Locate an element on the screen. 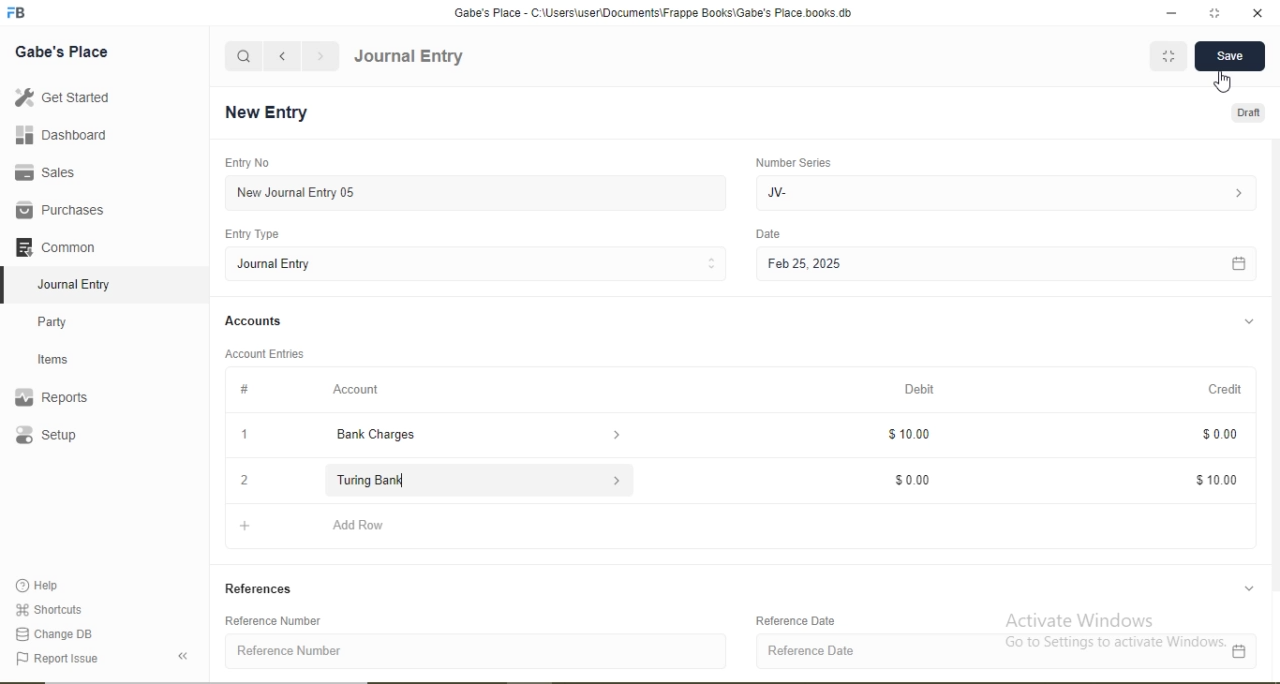  Items is located at coordinates (65, 359).